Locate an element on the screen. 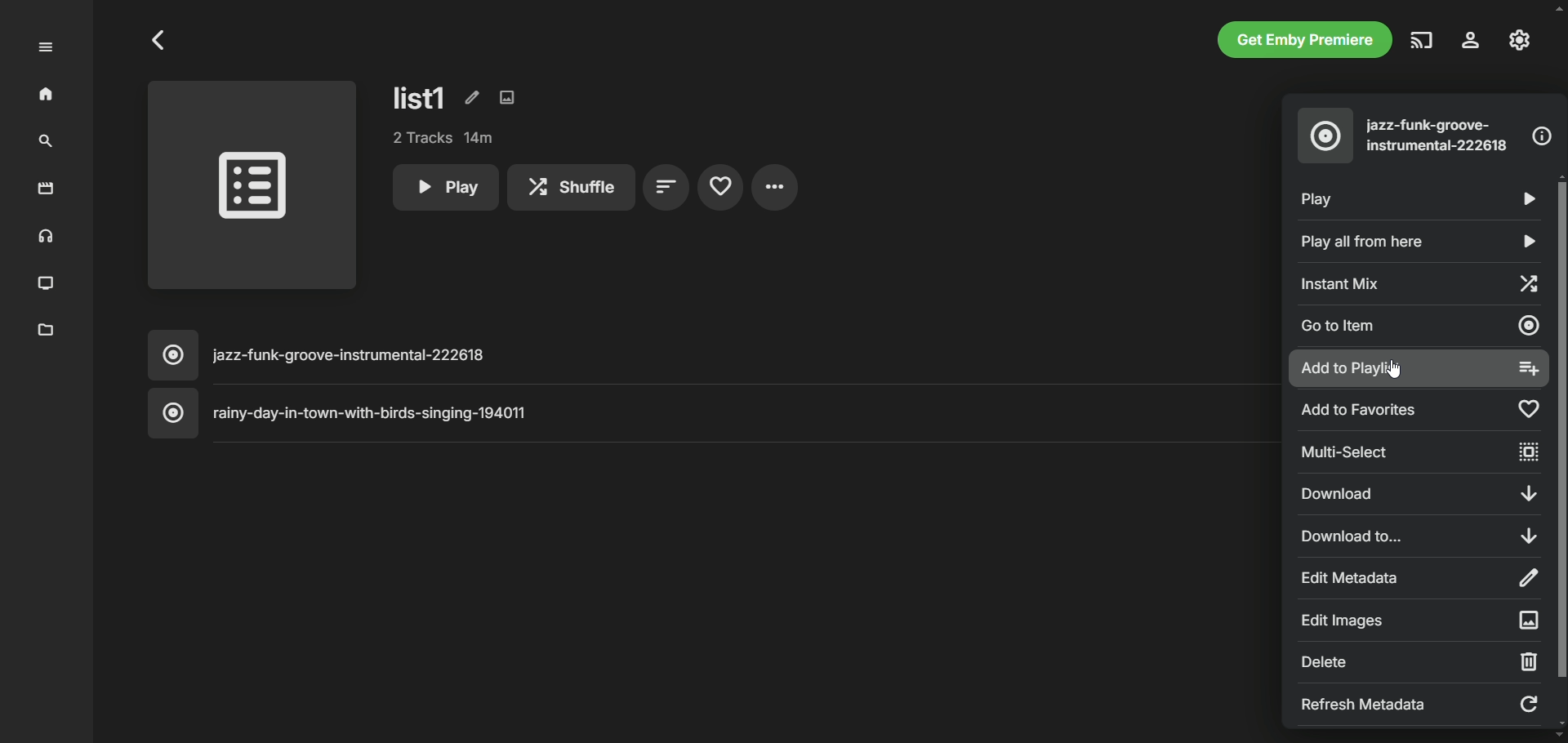 Image resolution: width=1568 pixels, height=743 pixels. go to item is located at coordinates (1420, 328).